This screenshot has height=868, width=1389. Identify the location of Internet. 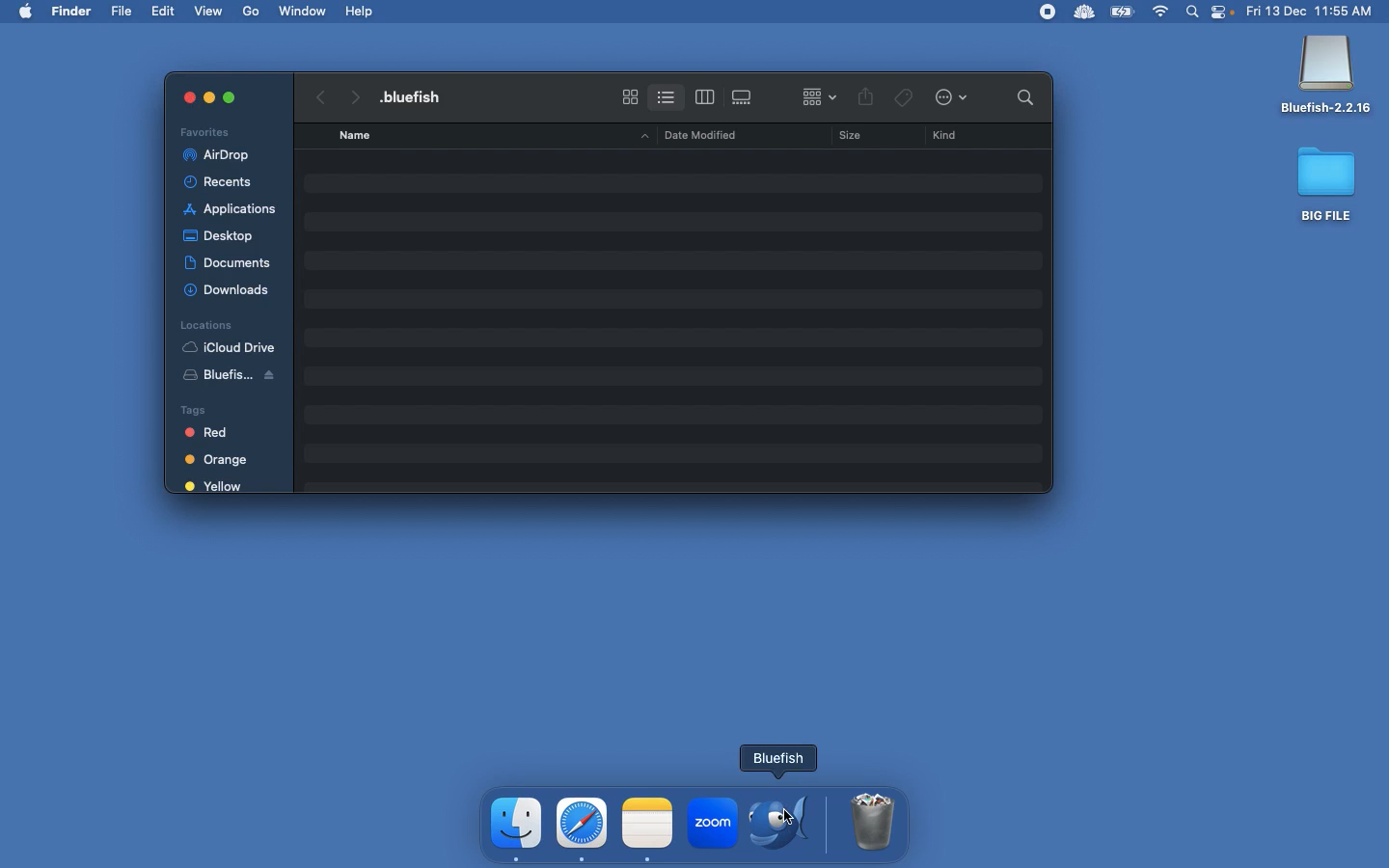
(1161, 13).